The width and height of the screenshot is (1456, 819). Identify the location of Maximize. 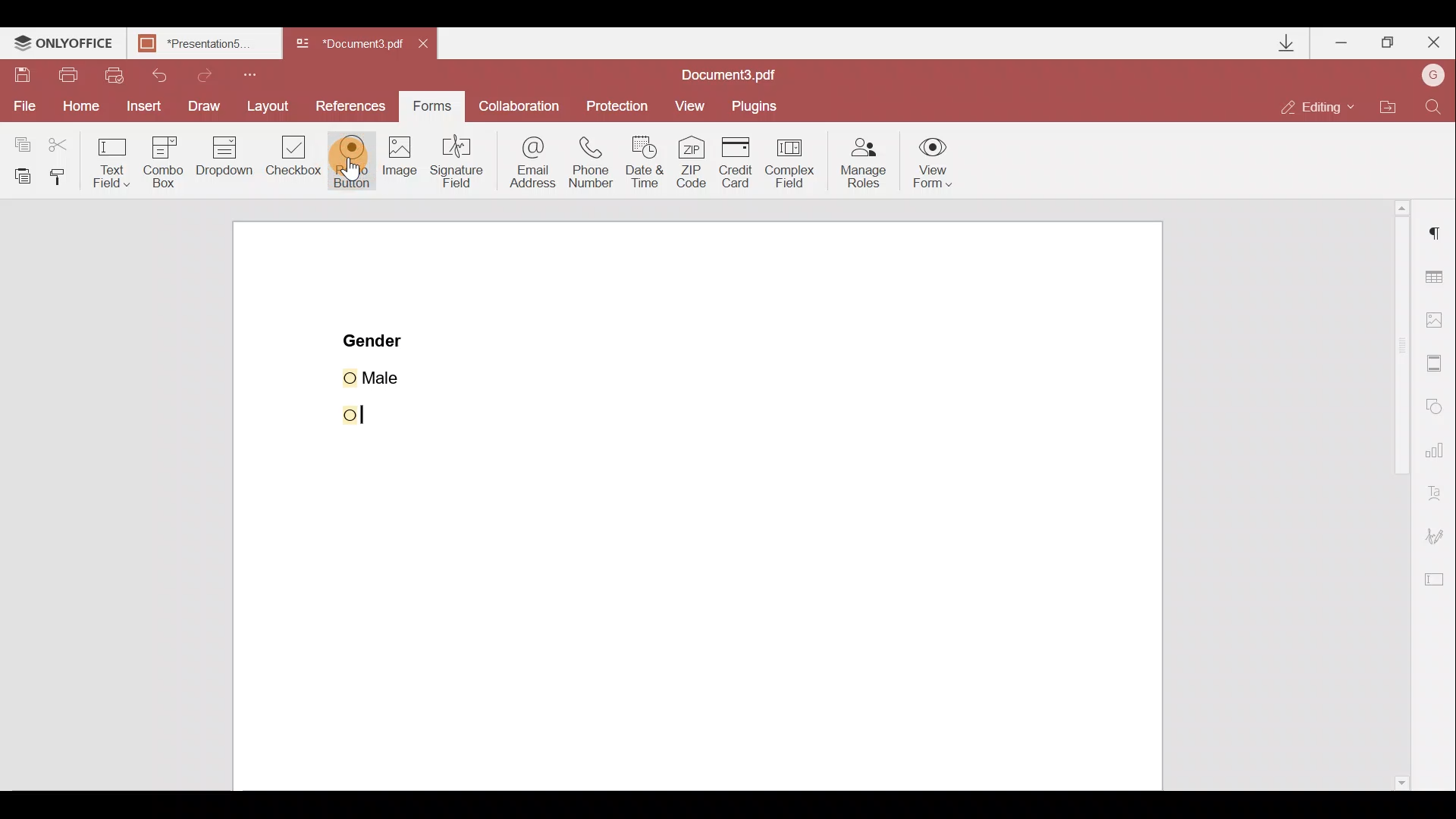
(1389, 41).